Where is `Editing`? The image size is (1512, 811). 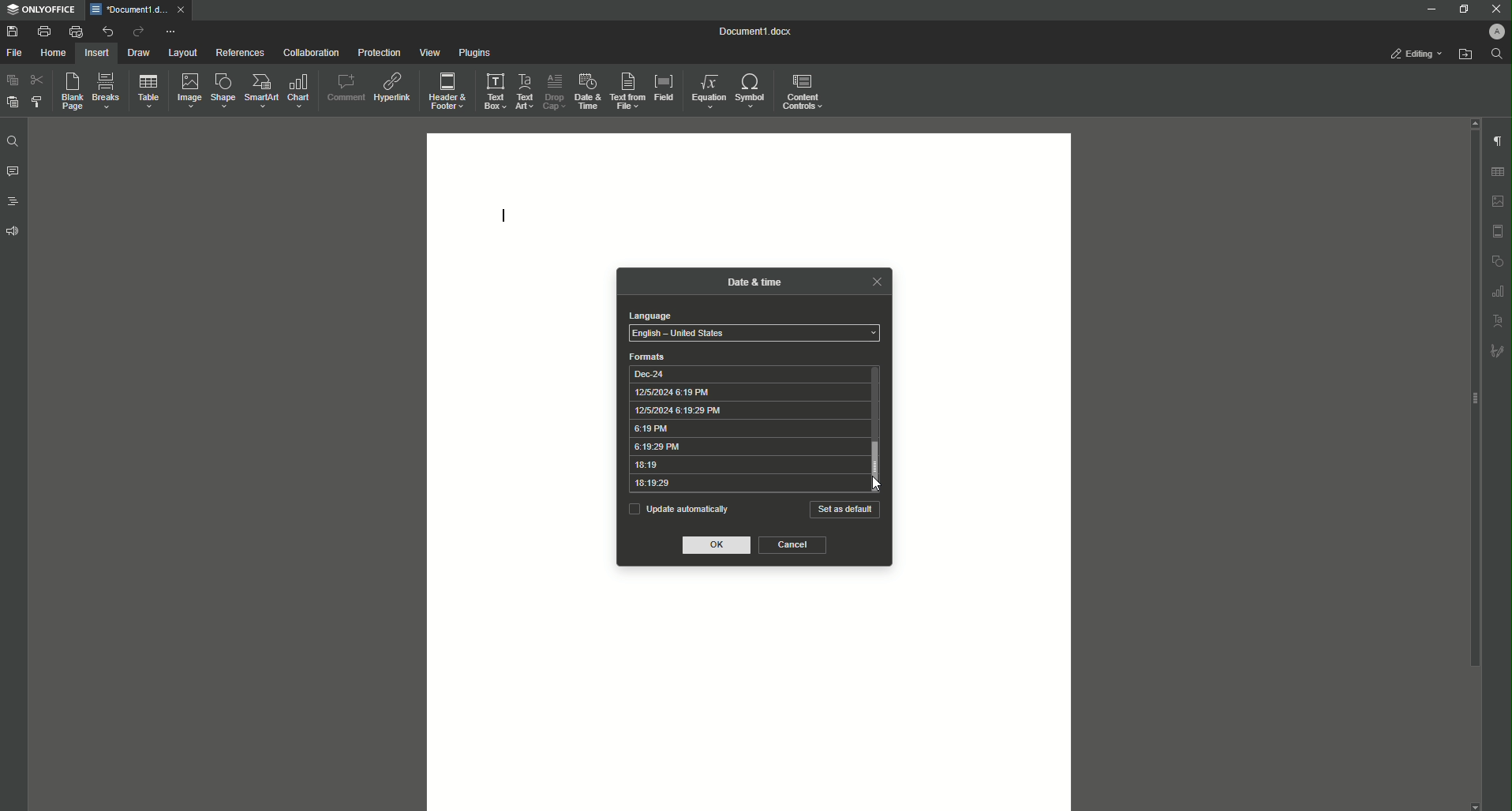
Editing is located at coordinates (1417, 54).